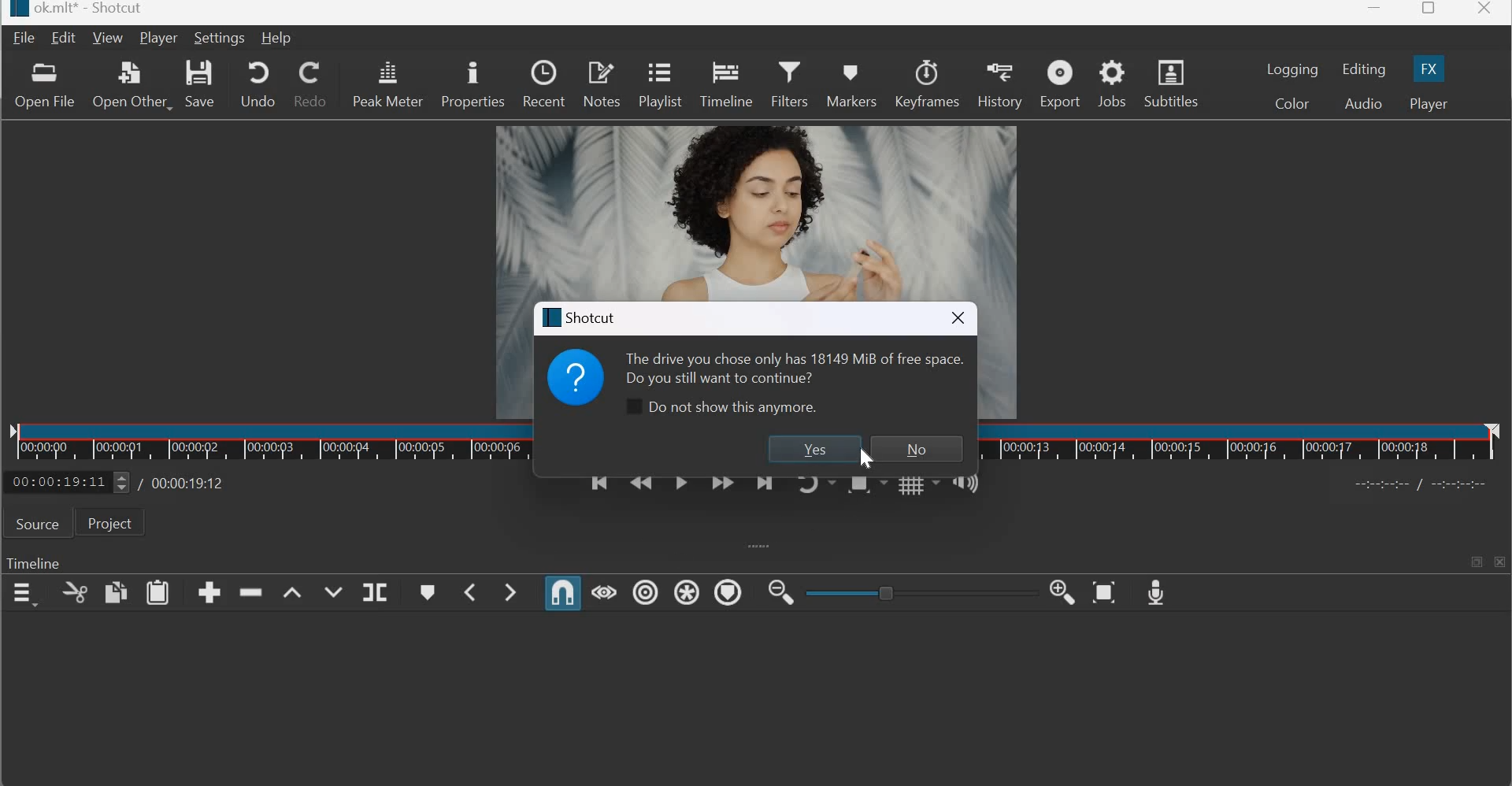 This screenshot has width=1512, height=786. I want to click on ripple delete, so click(252, 591).